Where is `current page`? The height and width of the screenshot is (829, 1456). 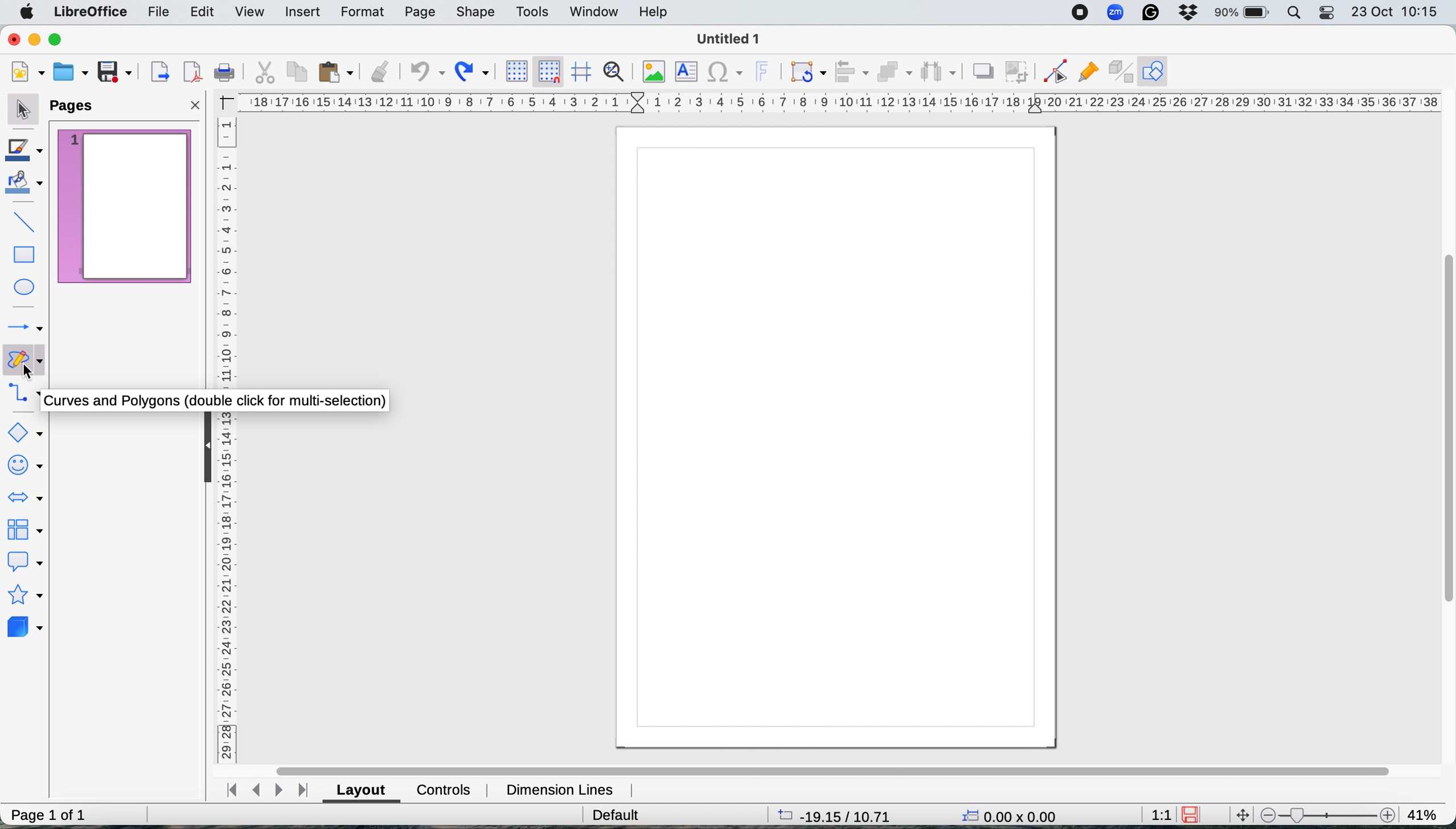 current page is located at coordinates (121, 208).